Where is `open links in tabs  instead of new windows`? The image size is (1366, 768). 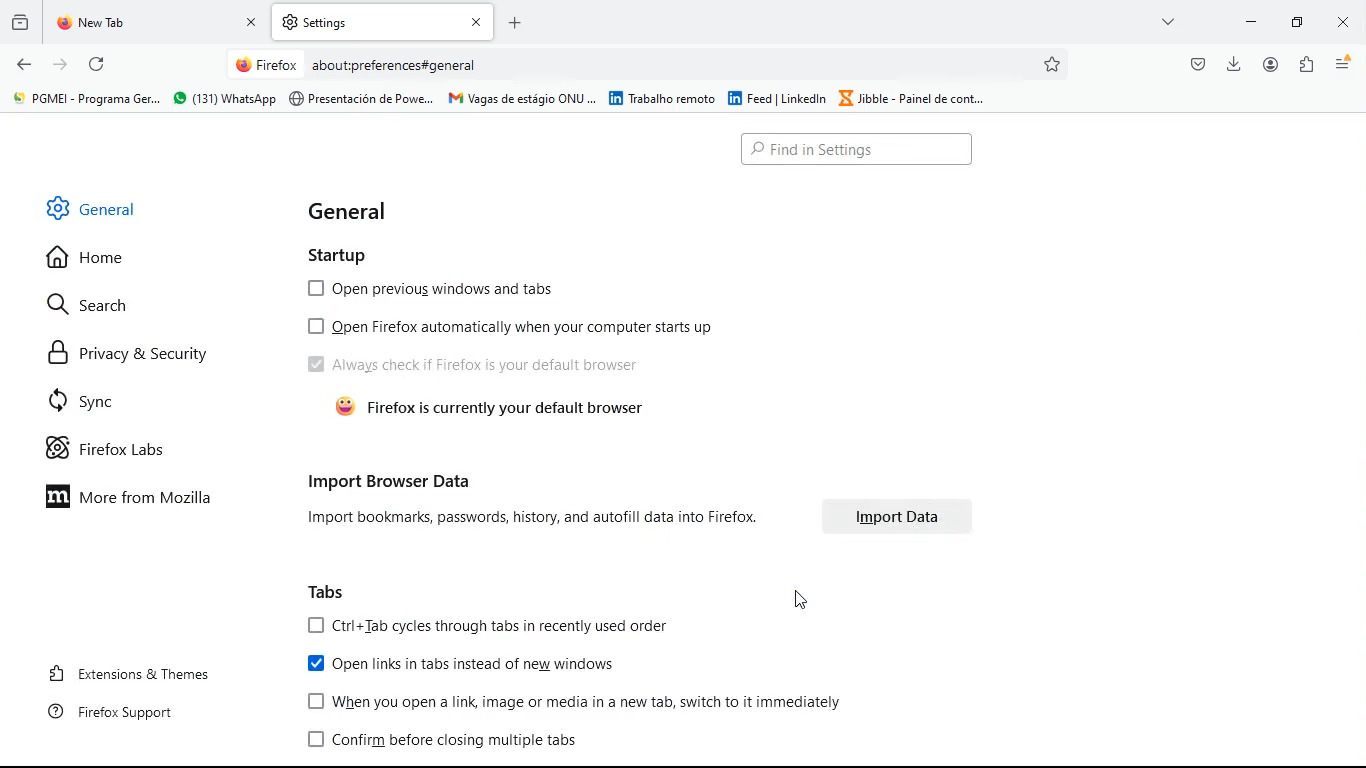 open links in tabs  instead of new windows is located at coordinates (470, 666).